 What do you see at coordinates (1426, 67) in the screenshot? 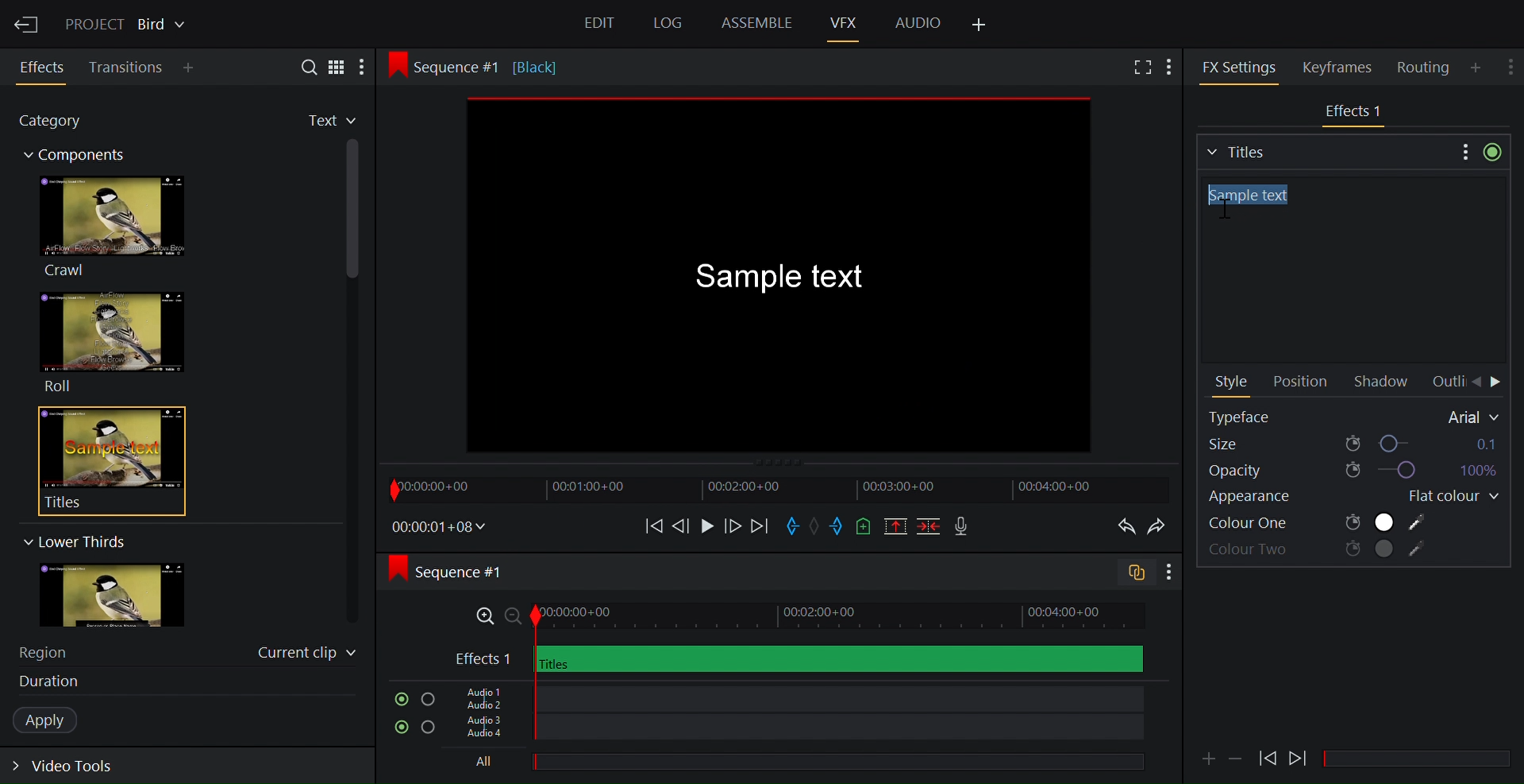
I see `Routing` at bounding box center [1426, 67].